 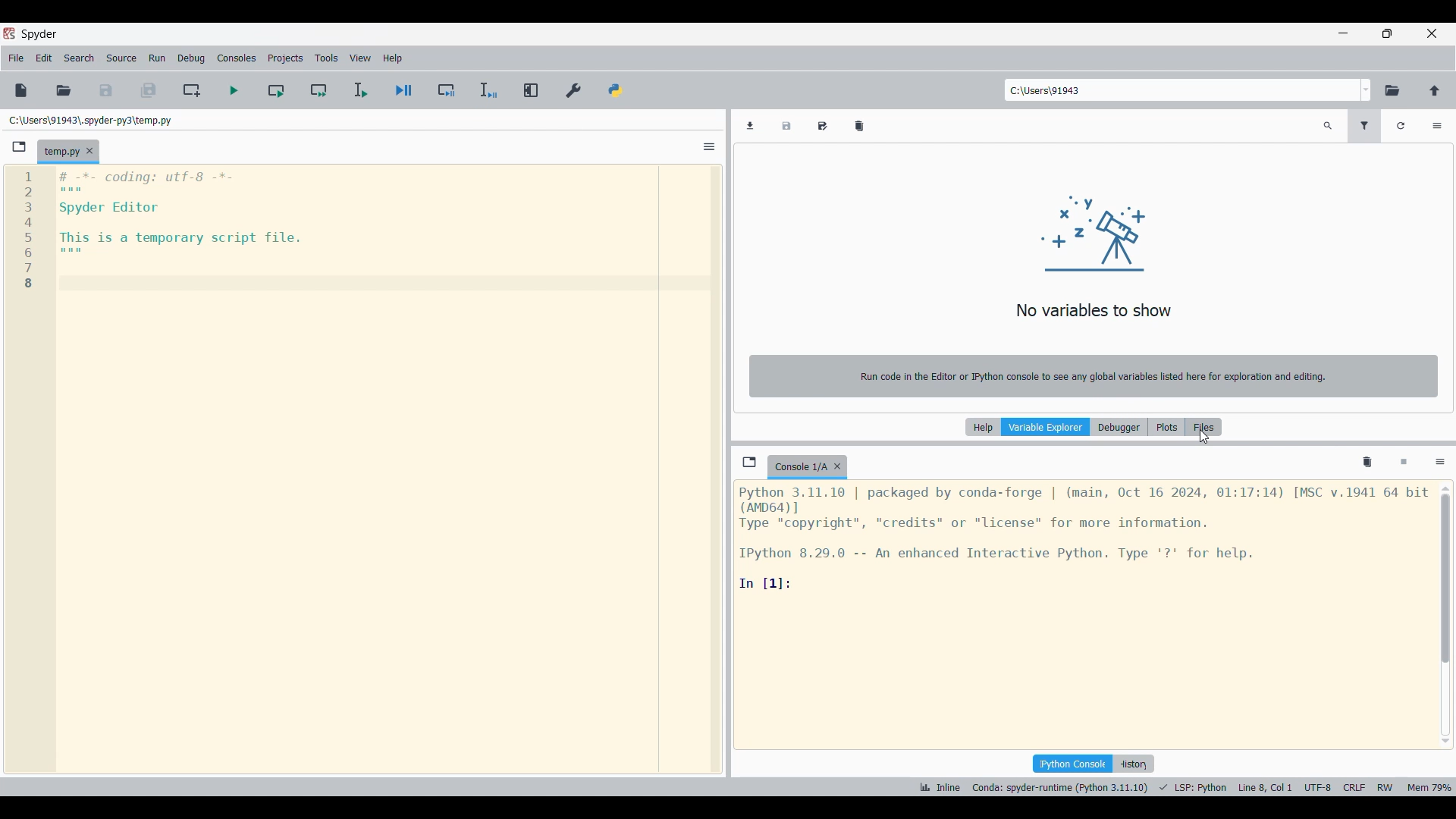 What do you see at coordinates (40, 35) in the screenshot?
I see `Software name` at bounding box center [40, 35].